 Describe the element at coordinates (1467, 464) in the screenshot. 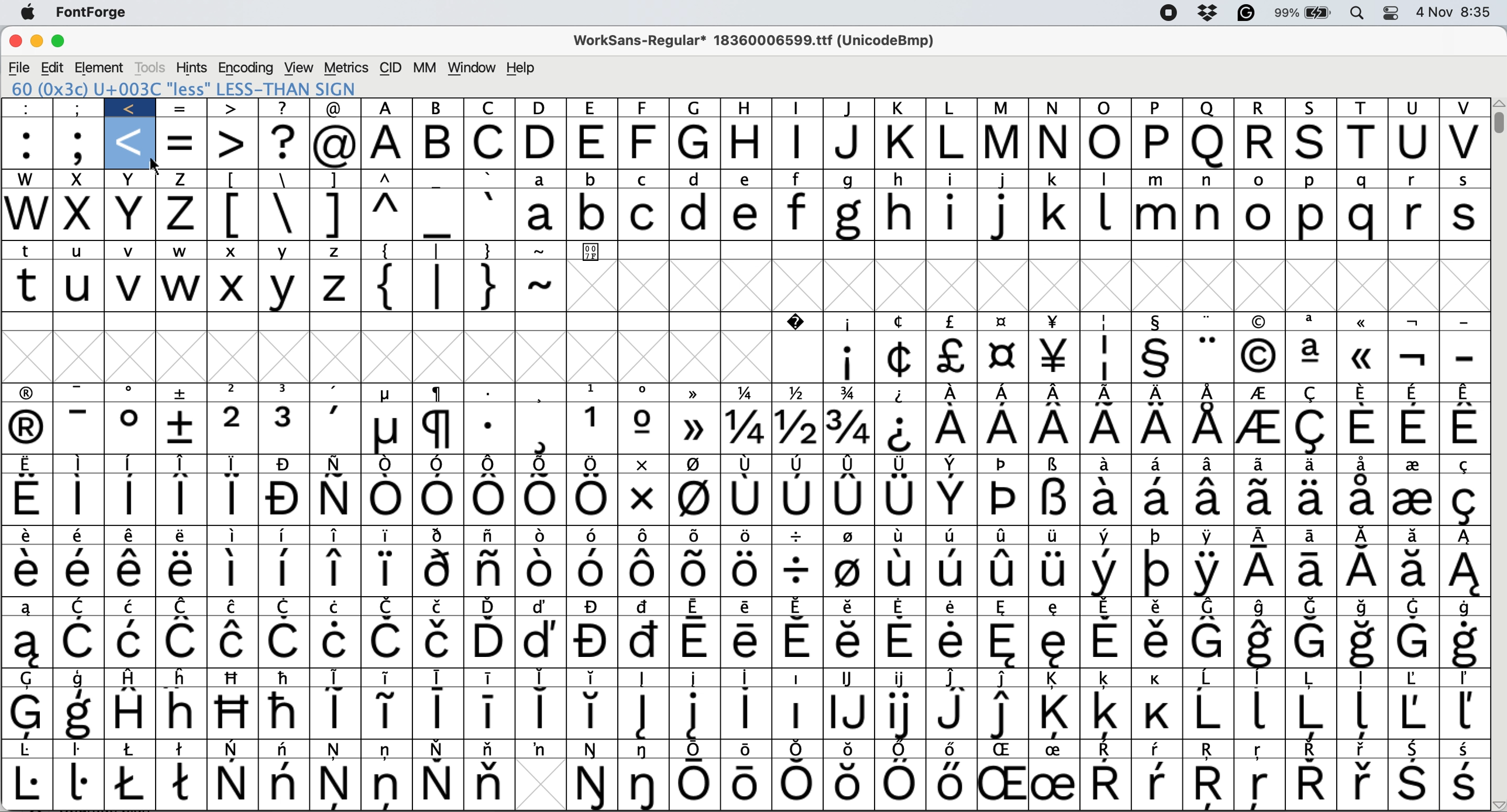

I see `Symbol` at that location.